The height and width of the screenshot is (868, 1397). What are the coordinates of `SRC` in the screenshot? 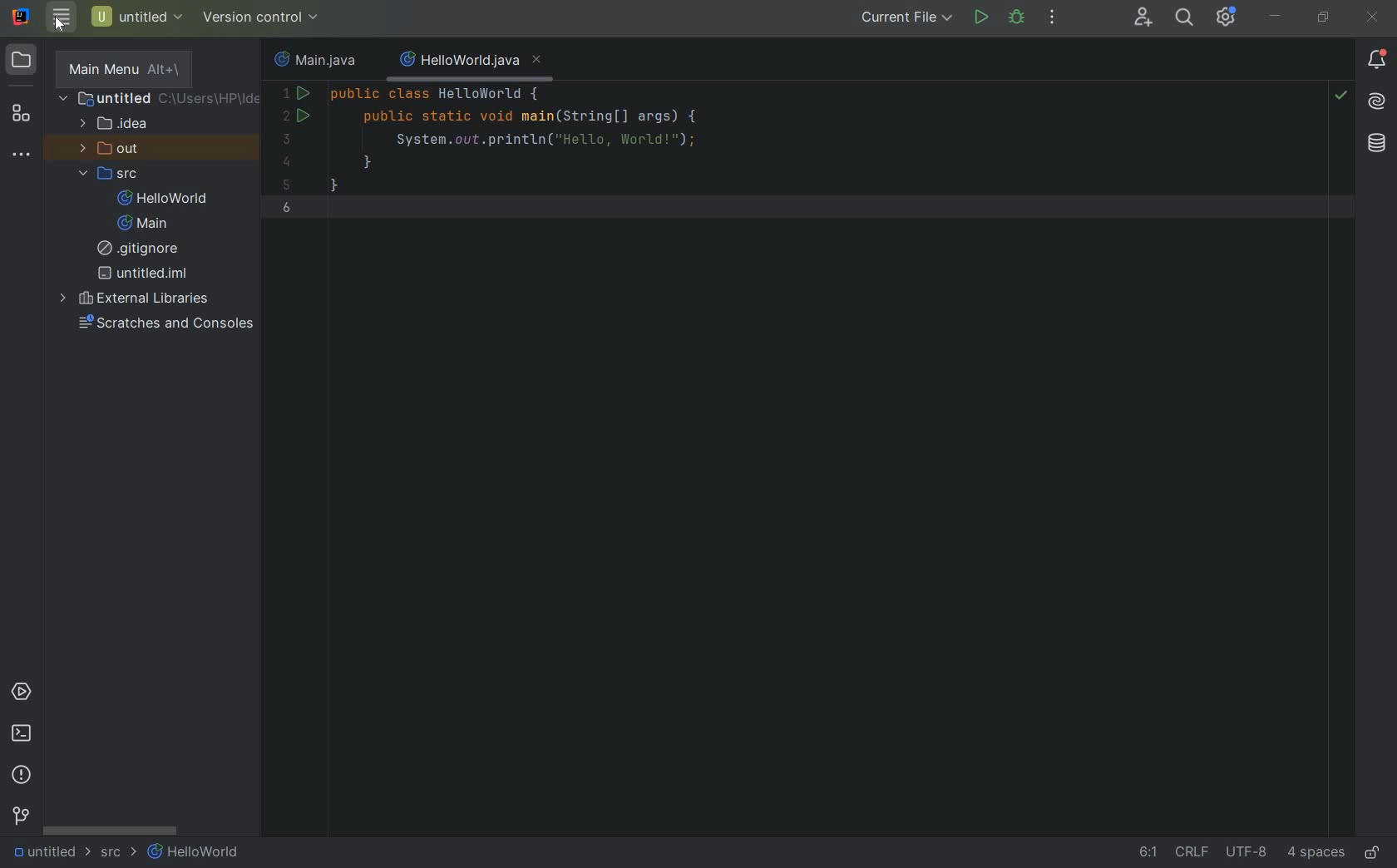 It's located at (117, 173).